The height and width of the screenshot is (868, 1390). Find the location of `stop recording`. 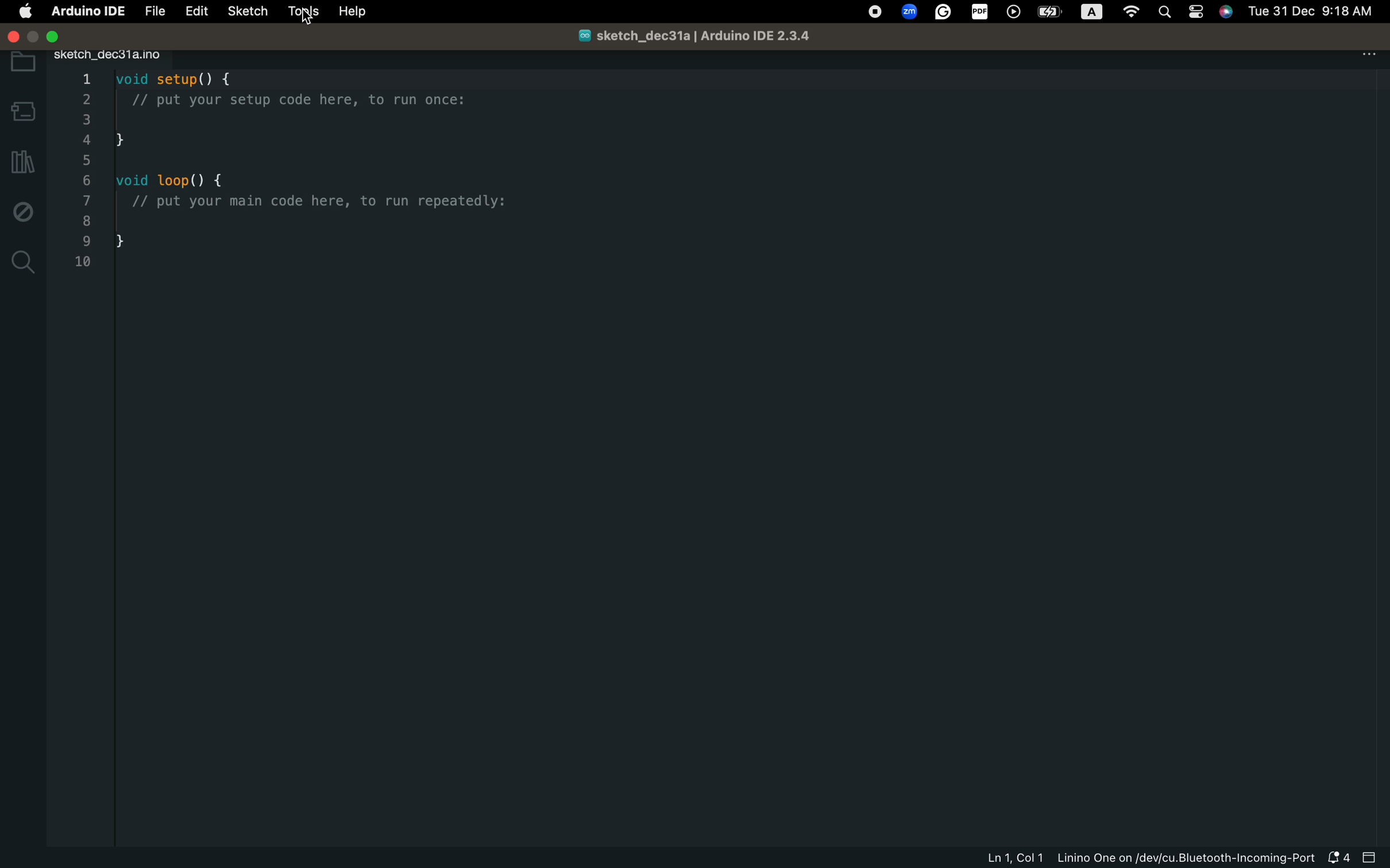

stop recording is located at coordinates (873, 13).